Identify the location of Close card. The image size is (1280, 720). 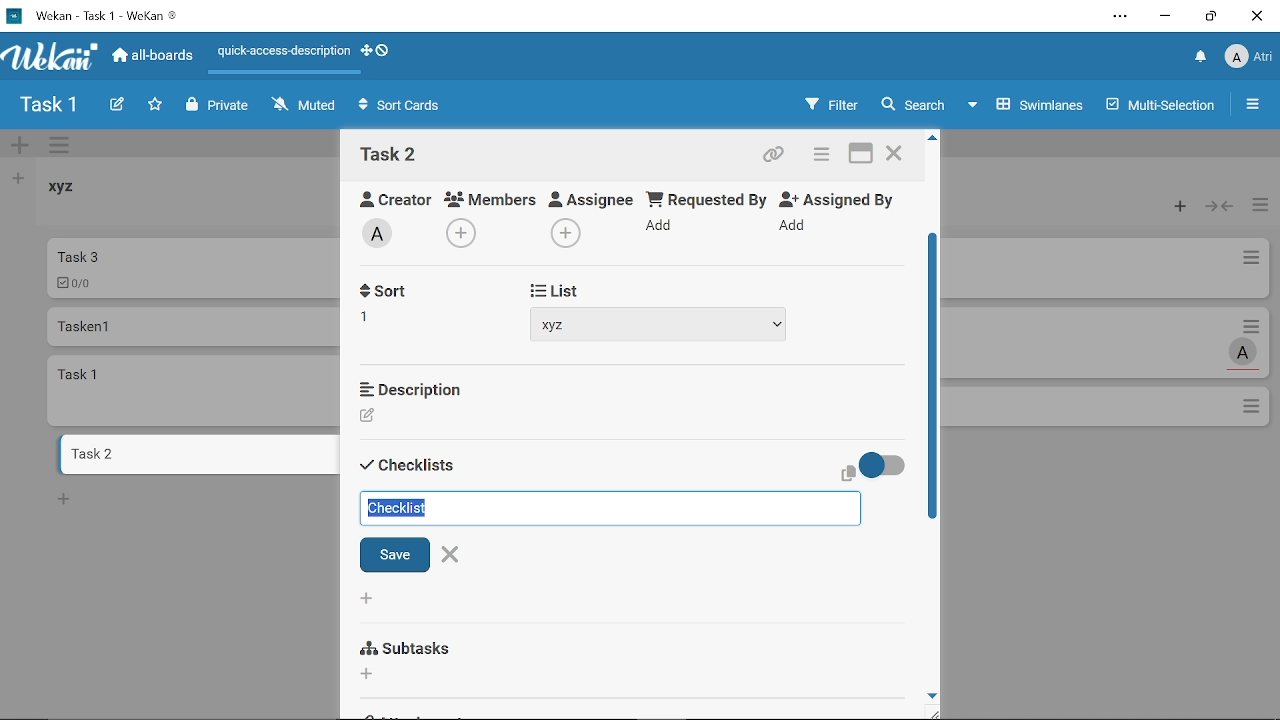
(896, 156).